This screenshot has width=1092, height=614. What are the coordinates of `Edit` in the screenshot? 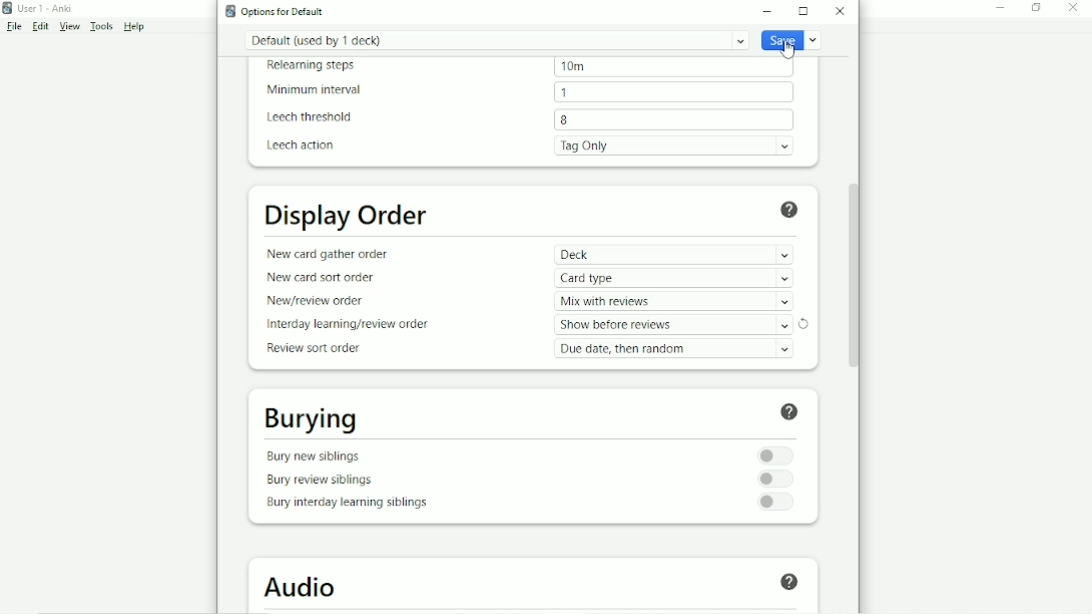 It's located at (40, 26).